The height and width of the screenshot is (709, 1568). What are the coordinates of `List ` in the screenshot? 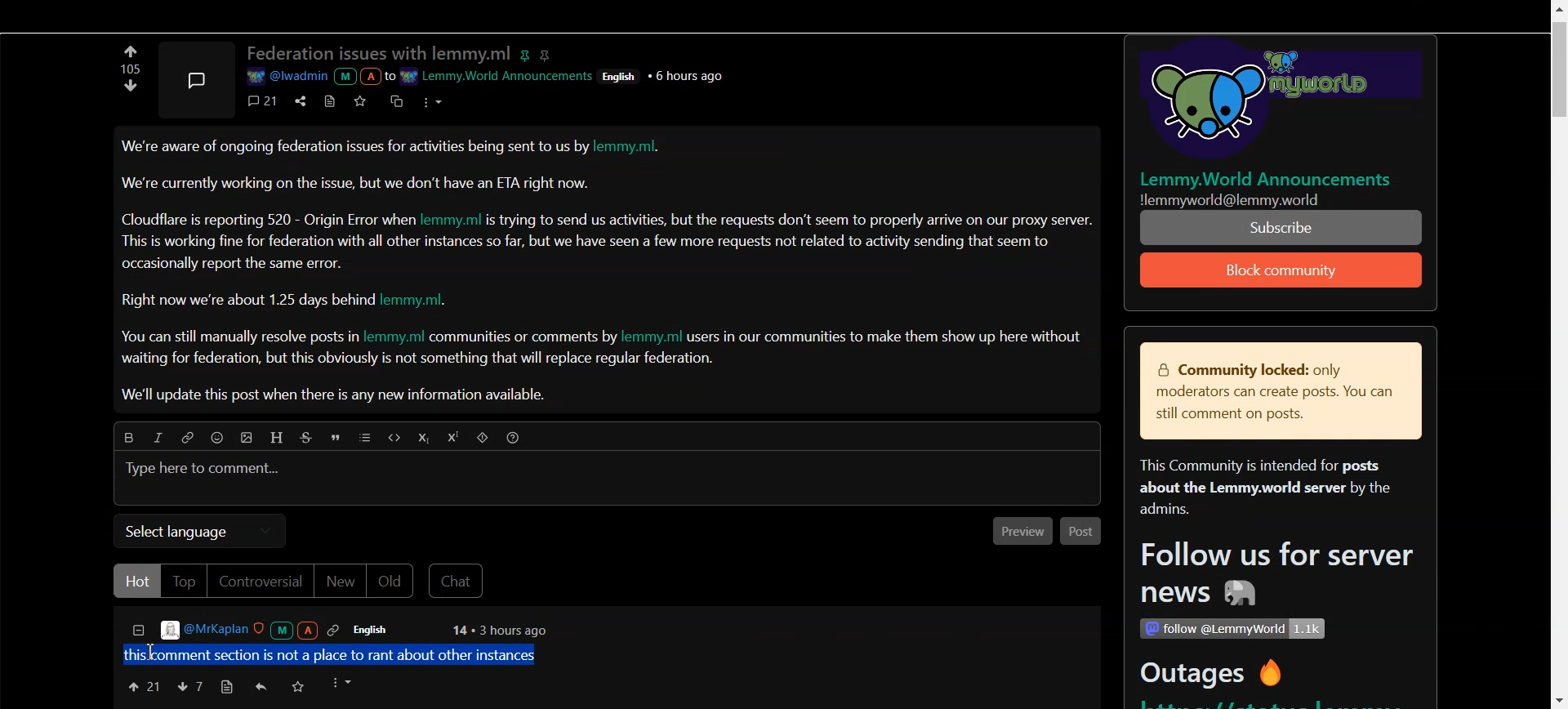 It's located at (366, 439).